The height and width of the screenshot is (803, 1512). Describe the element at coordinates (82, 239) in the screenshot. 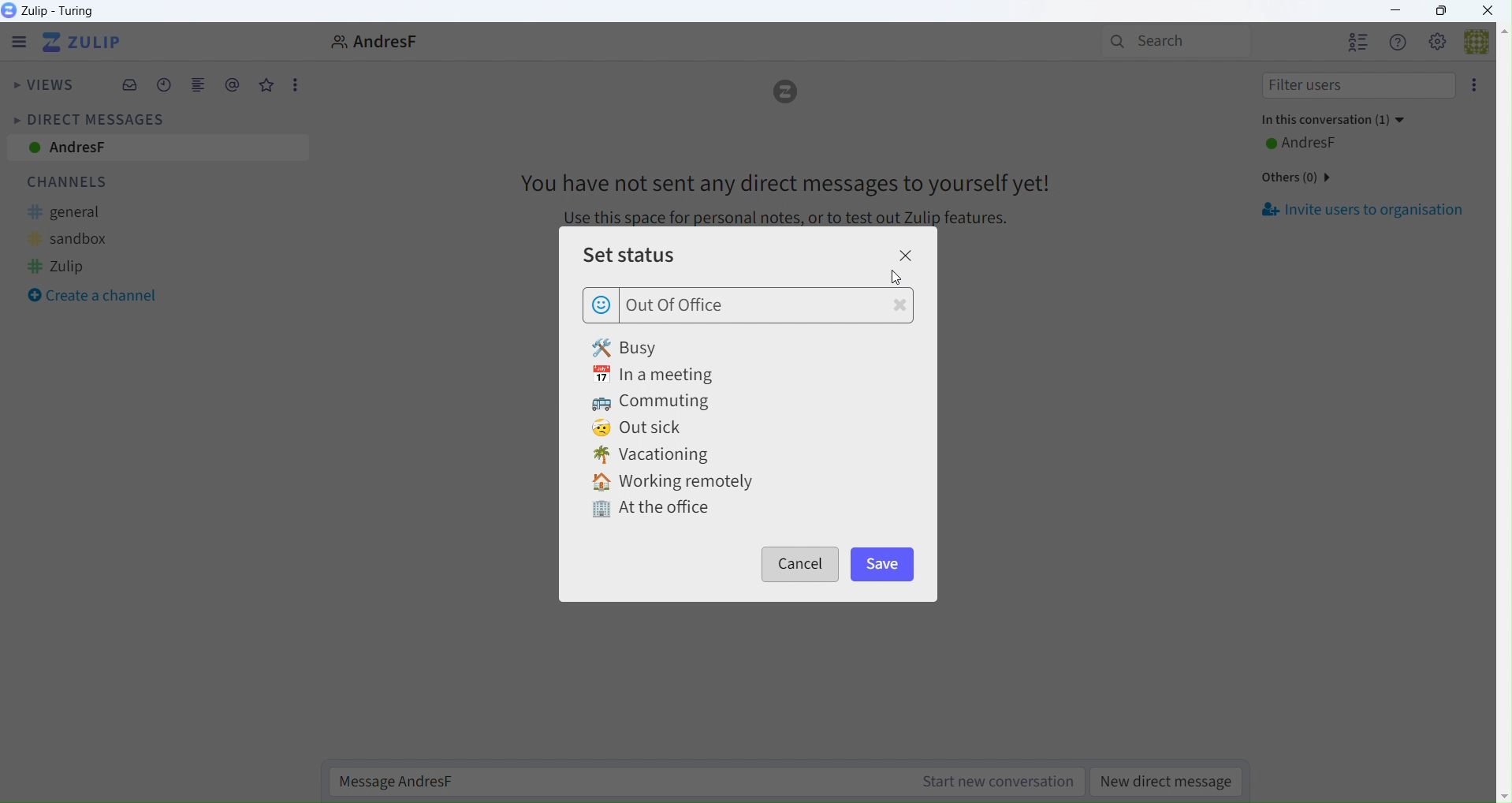

I see `sandbox` at that location.